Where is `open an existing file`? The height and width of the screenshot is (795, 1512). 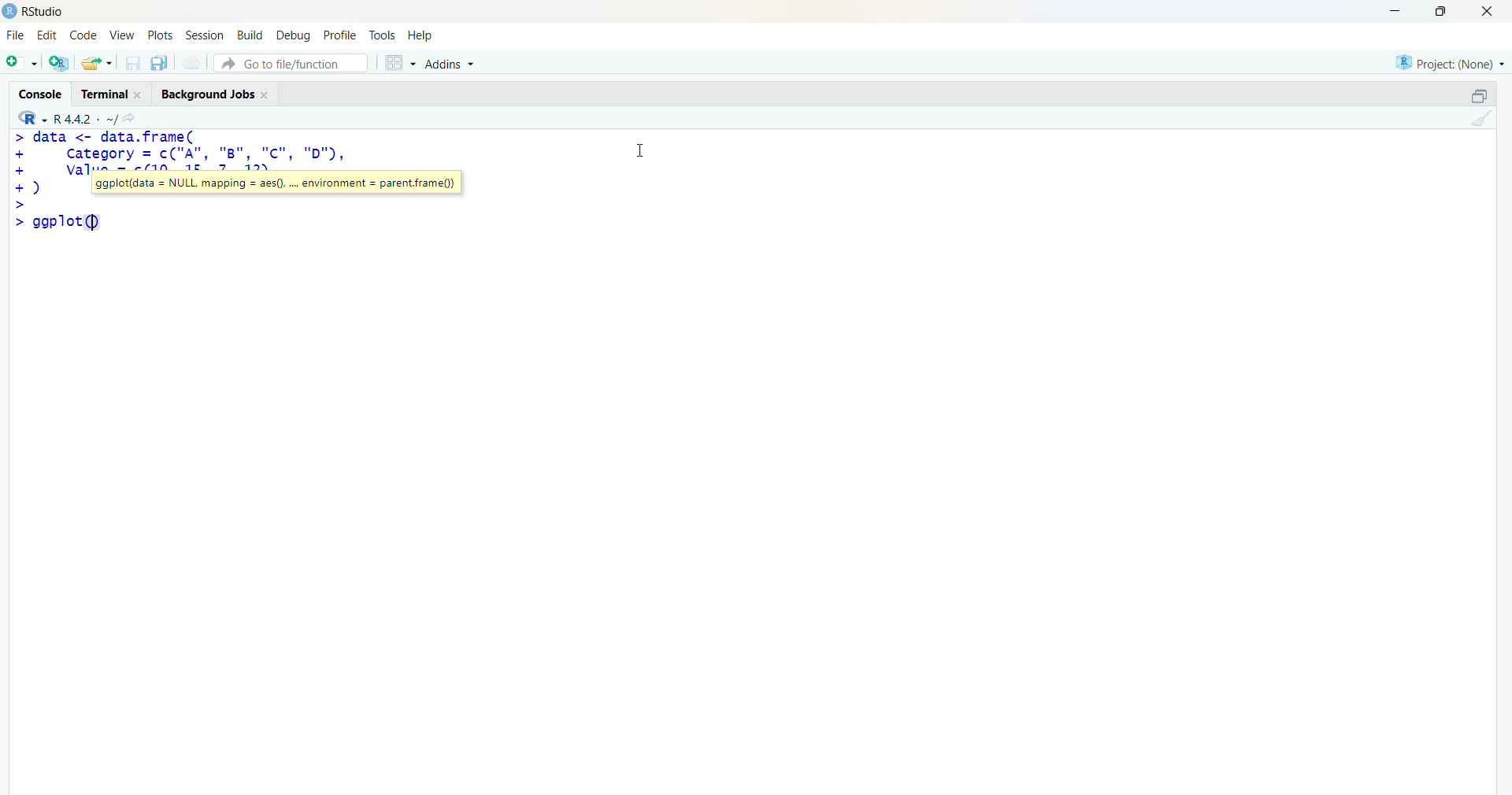 open an existing file is located at coordinates (96, 62).